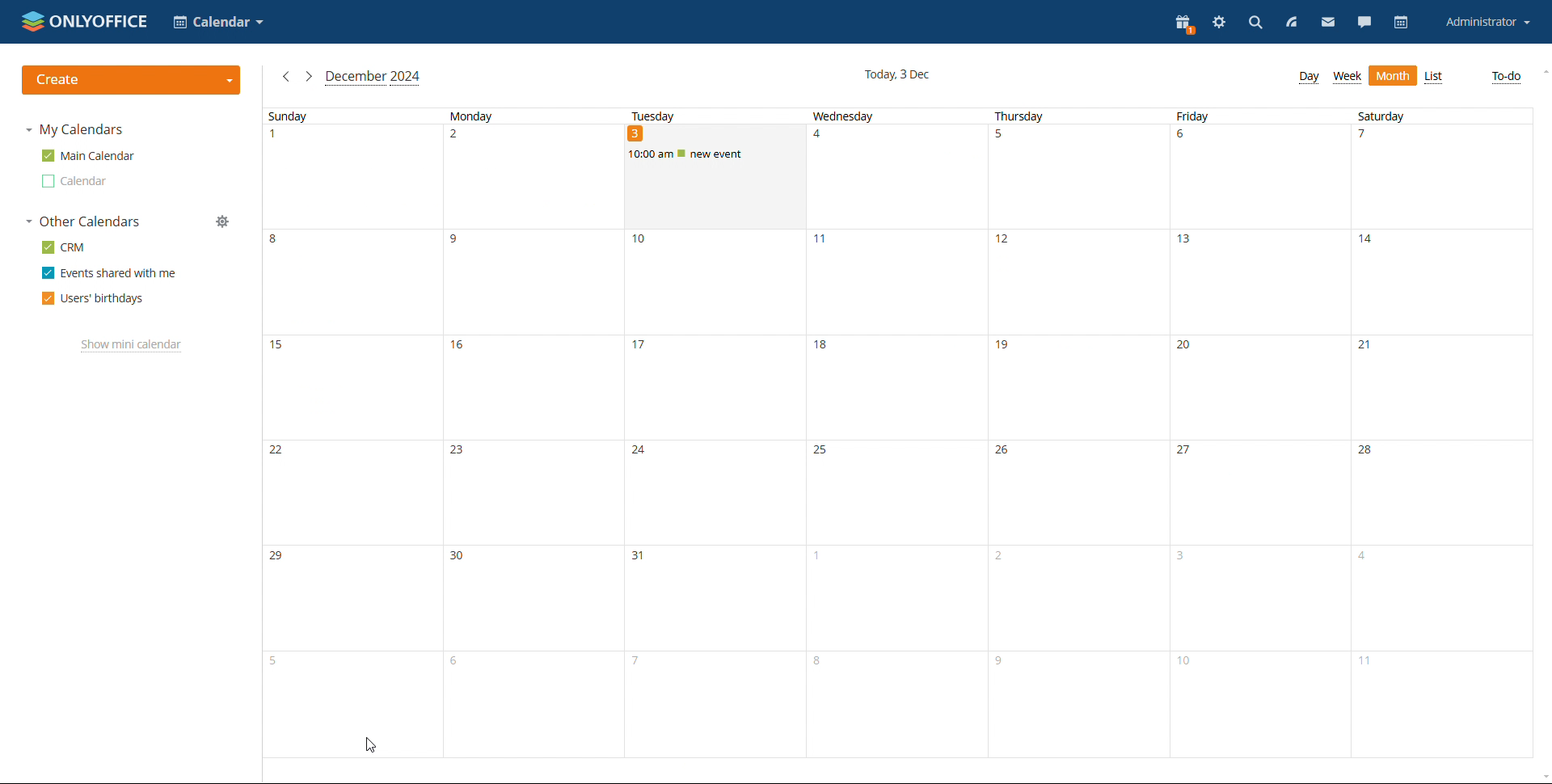  What do you see at coordinates (1308, 78) in the screenshot?
I see `day view` at bounding box center [1308, 78].